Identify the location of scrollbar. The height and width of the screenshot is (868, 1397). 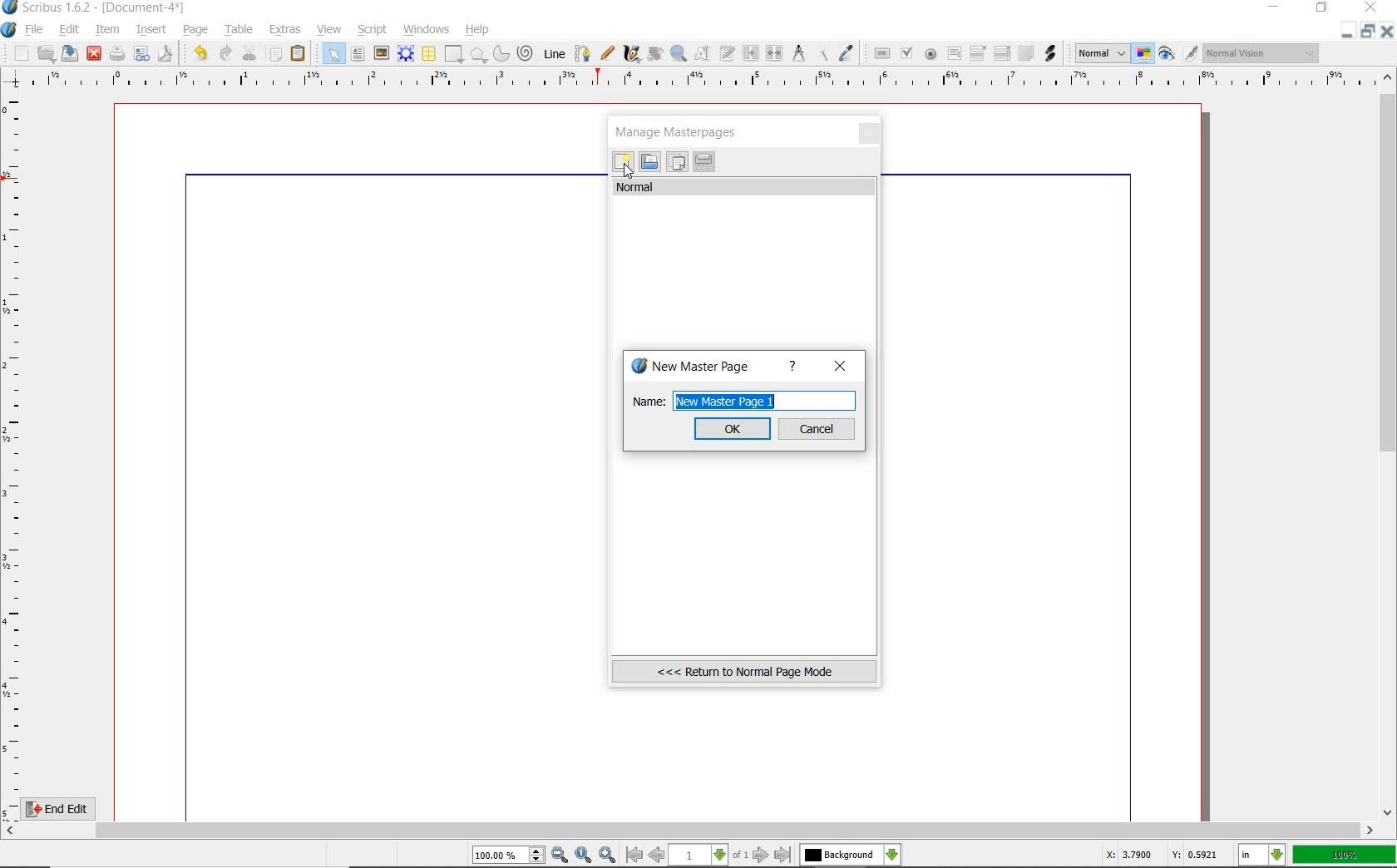
(690, 831).